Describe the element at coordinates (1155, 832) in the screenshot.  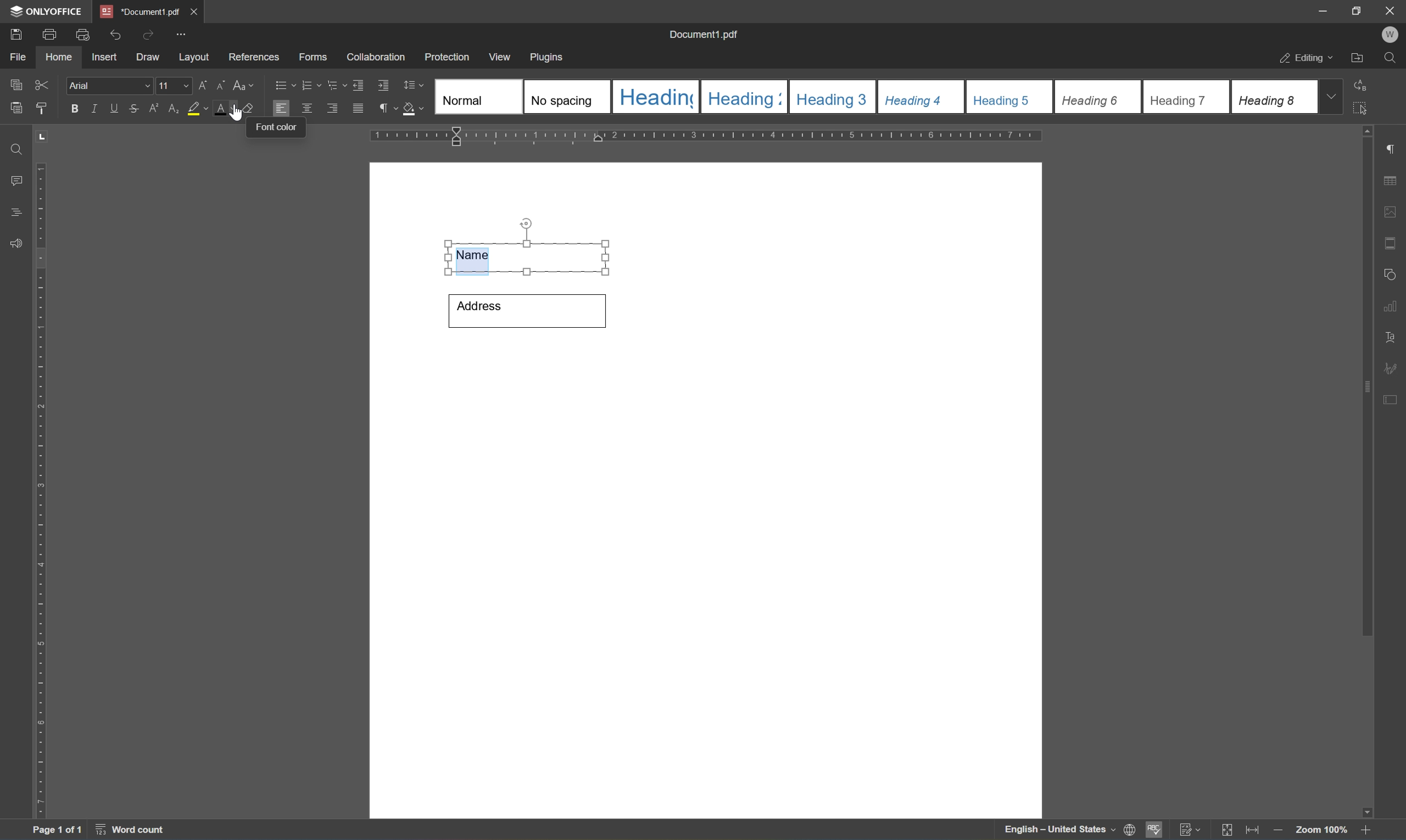
I see `spell checking` at that location.